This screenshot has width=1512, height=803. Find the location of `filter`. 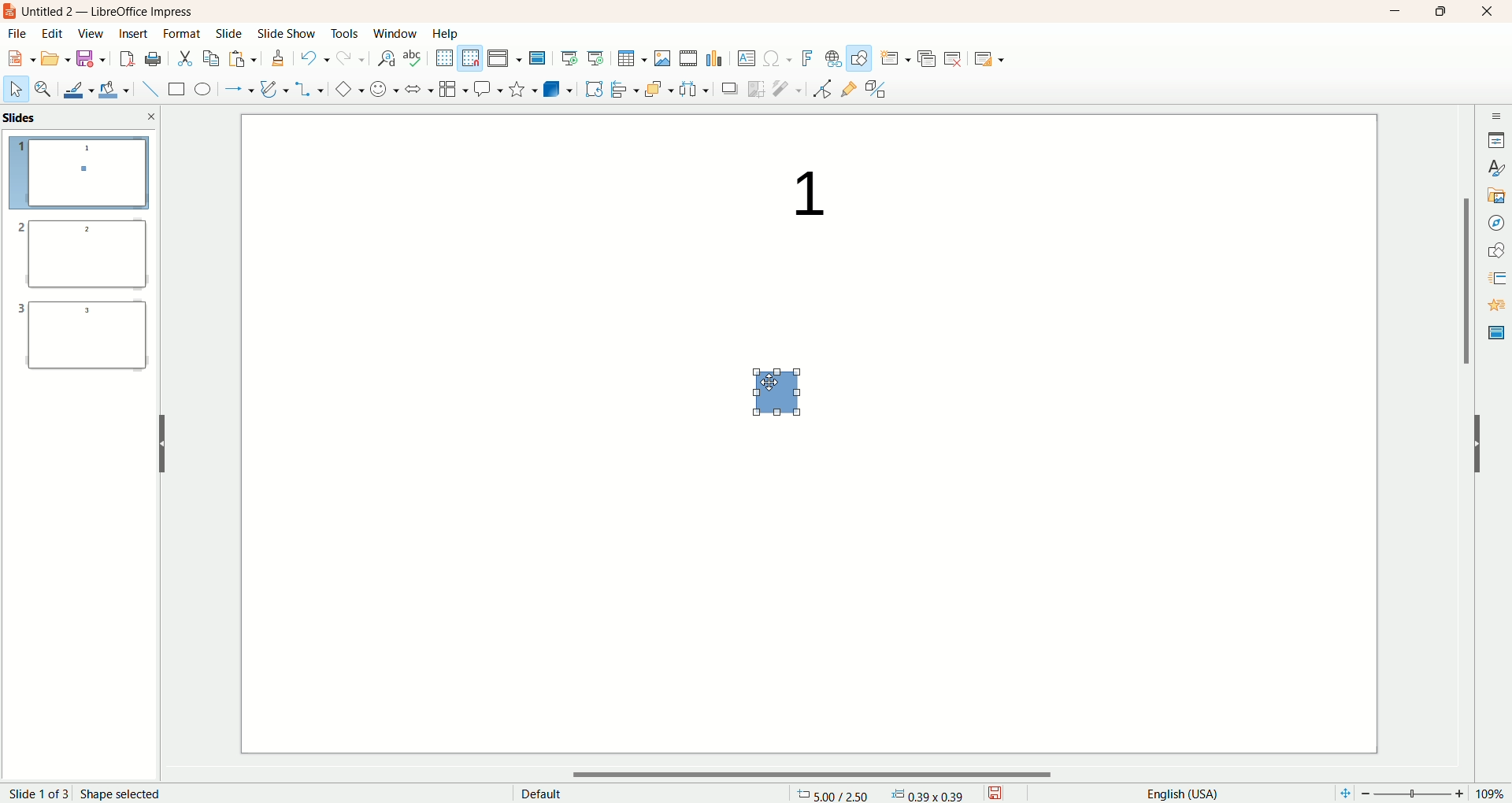

filter is located at coordinates (787, 89).